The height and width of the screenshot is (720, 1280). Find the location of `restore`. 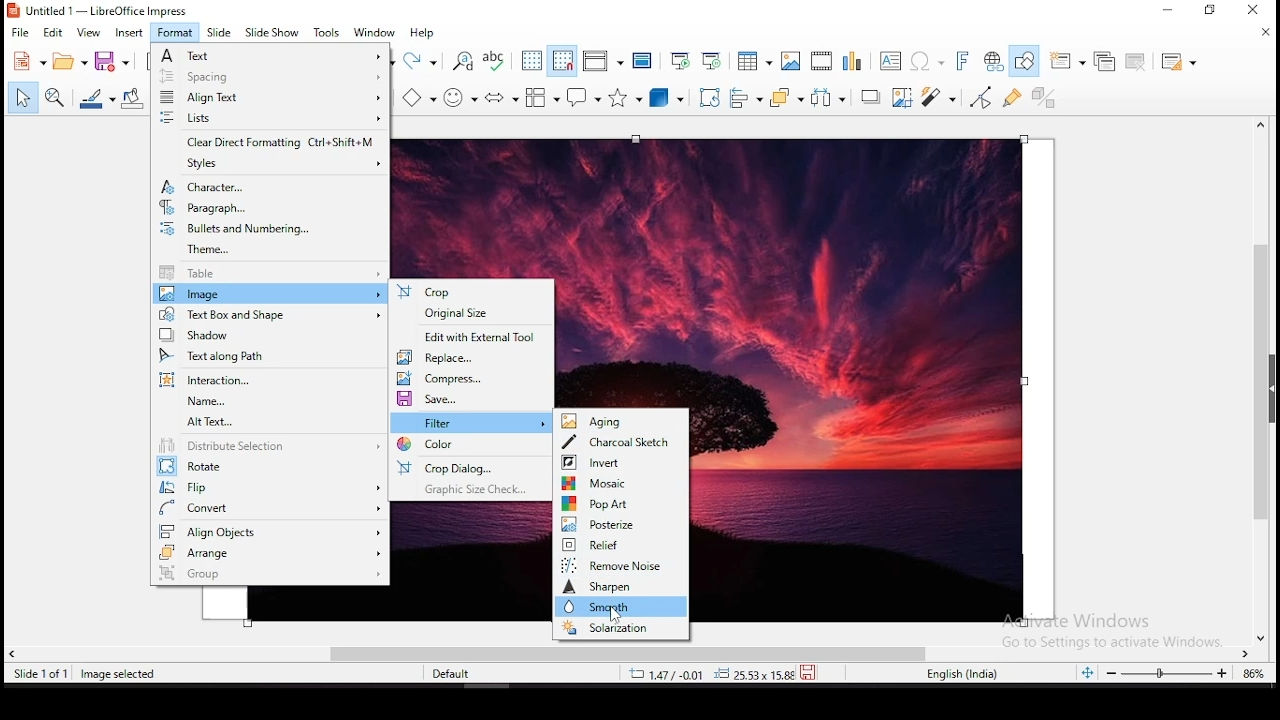

restore is located at coordinates (1212, 12).